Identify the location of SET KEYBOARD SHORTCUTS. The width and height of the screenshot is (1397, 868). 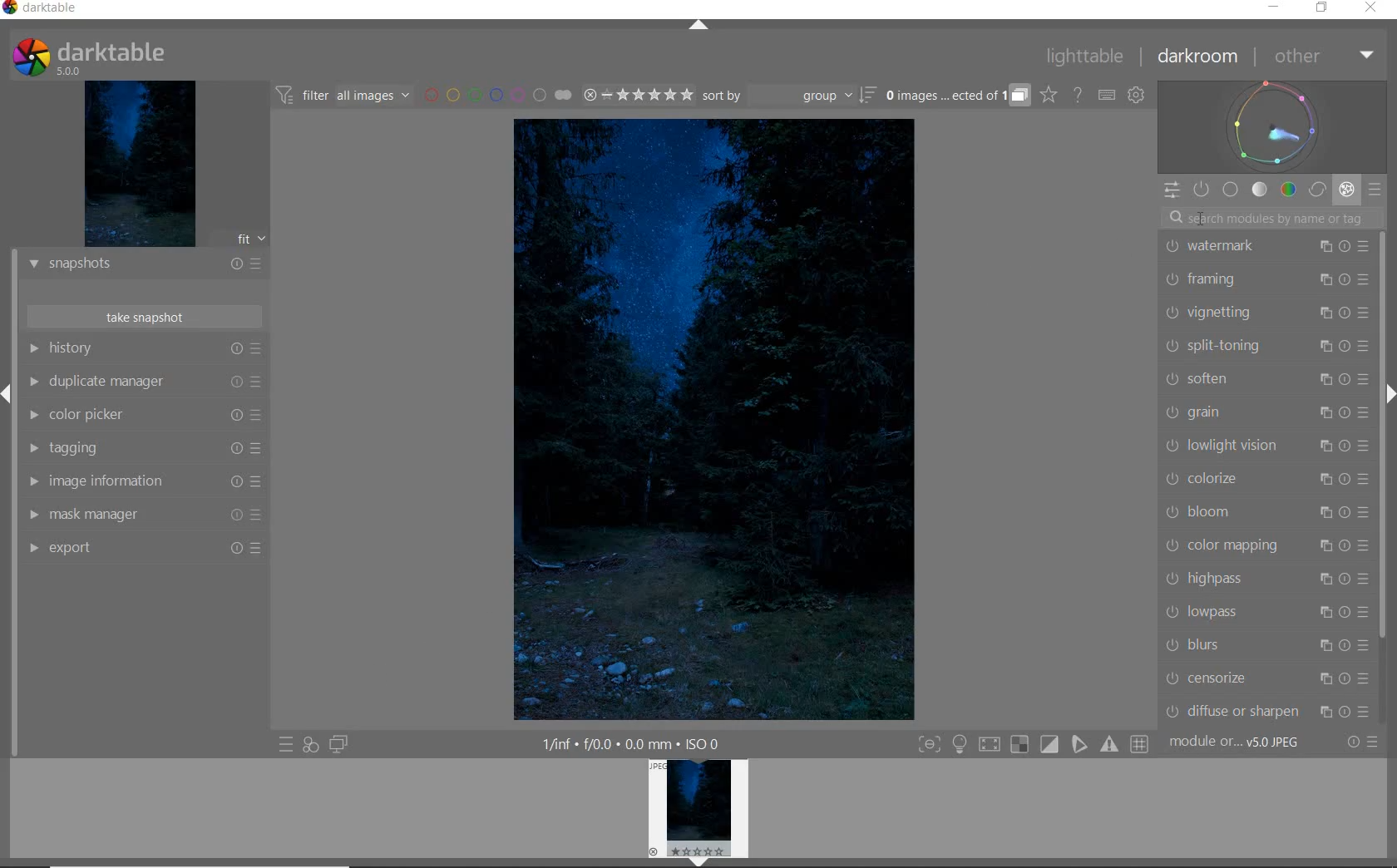
(1107, 96).